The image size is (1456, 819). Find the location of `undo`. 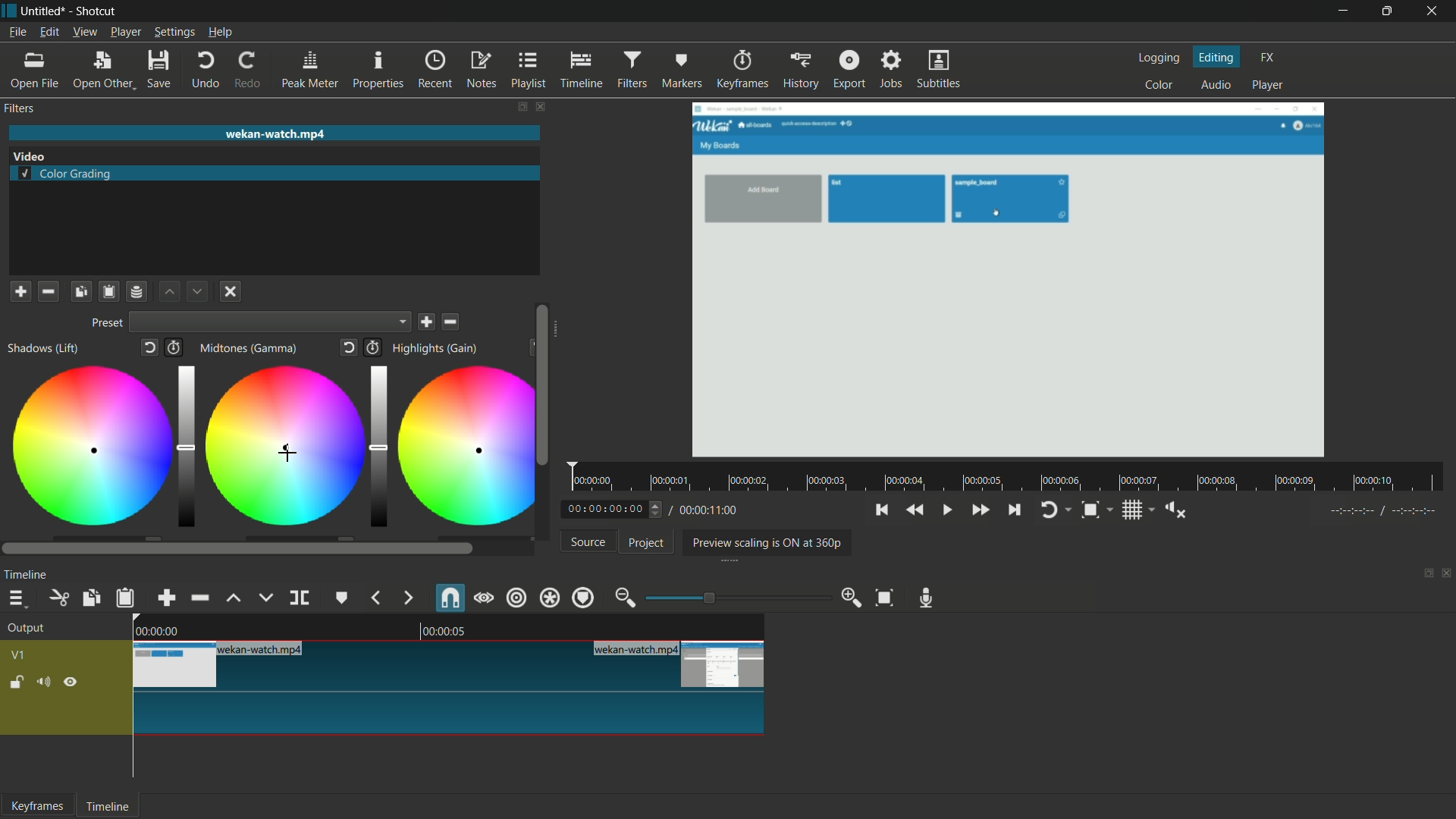

undo is located at coordinates (206, 70).